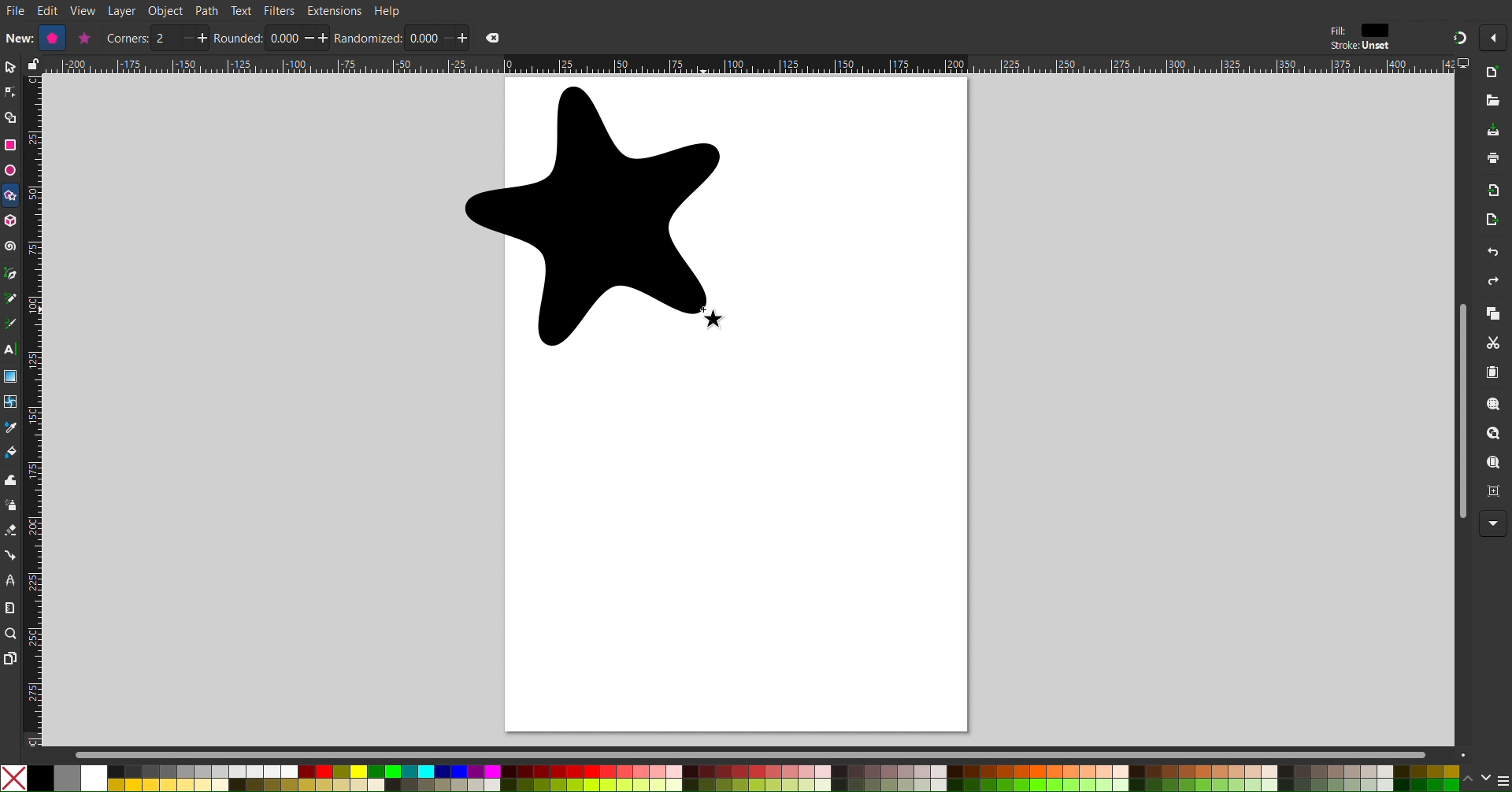 Image resolution: width=1512 pixels, height=792 pixels. Describe the element at coordinates (10, 580) in the screenshot. I see `LPE Tool` at that location.